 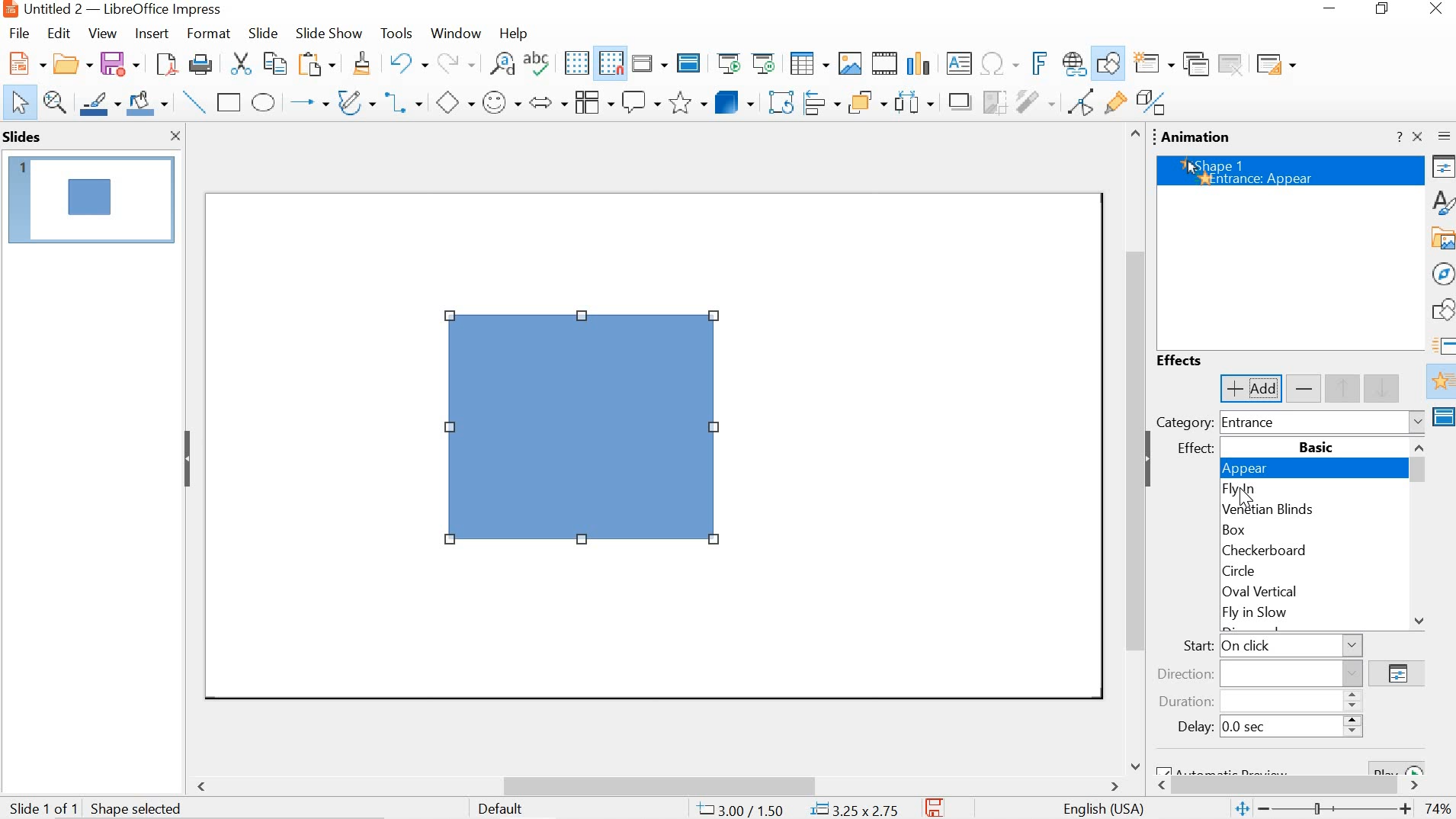 I want to click on Move down, so click(x=1419, y=620).